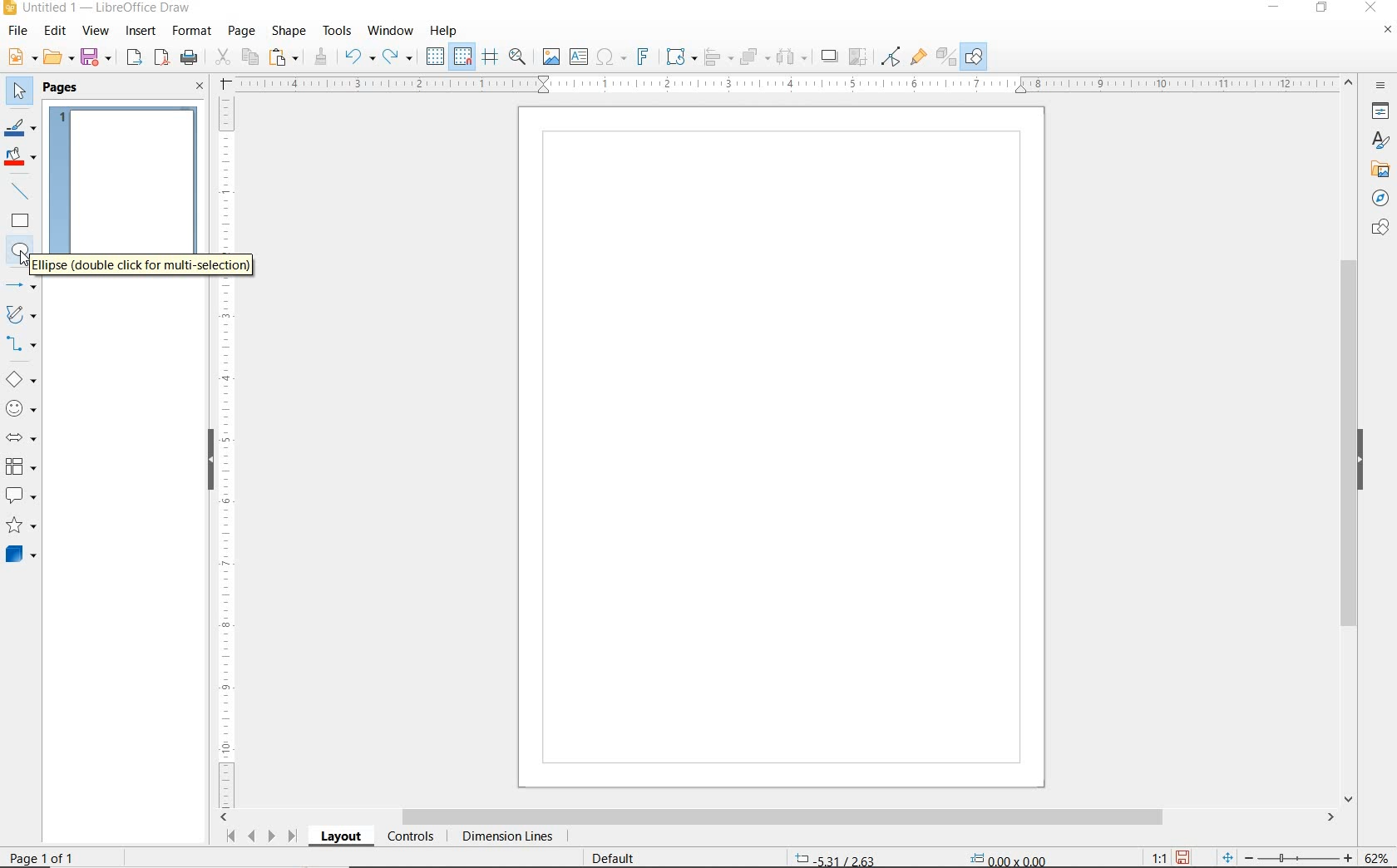  What do you see at coordinates (20, 127) in the screenshot?
I see `LINE COLOR` at bounding box center [20, 127].